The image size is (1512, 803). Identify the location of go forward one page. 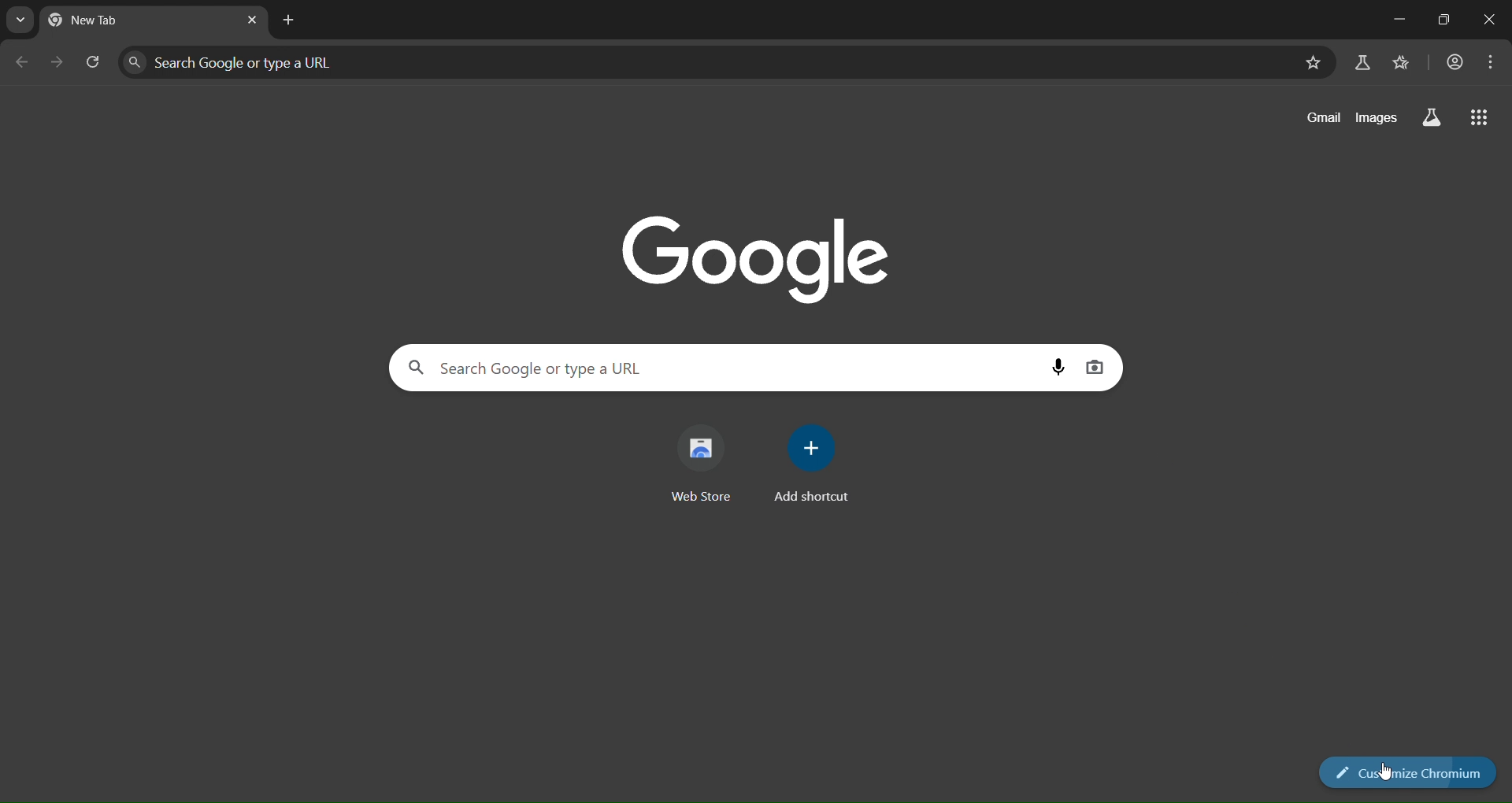
(60, 66).